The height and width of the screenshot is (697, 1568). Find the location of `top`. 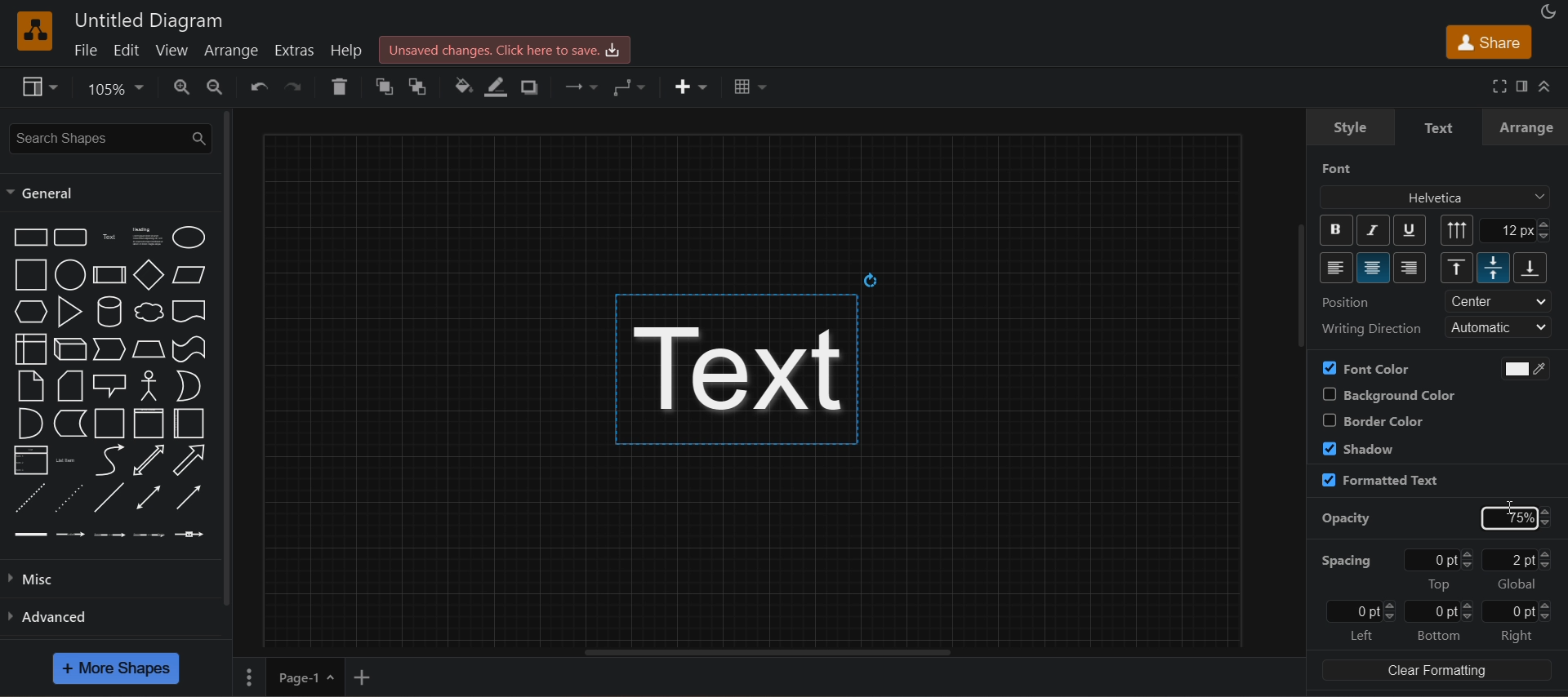

top is located at coordinates (1439, 584).